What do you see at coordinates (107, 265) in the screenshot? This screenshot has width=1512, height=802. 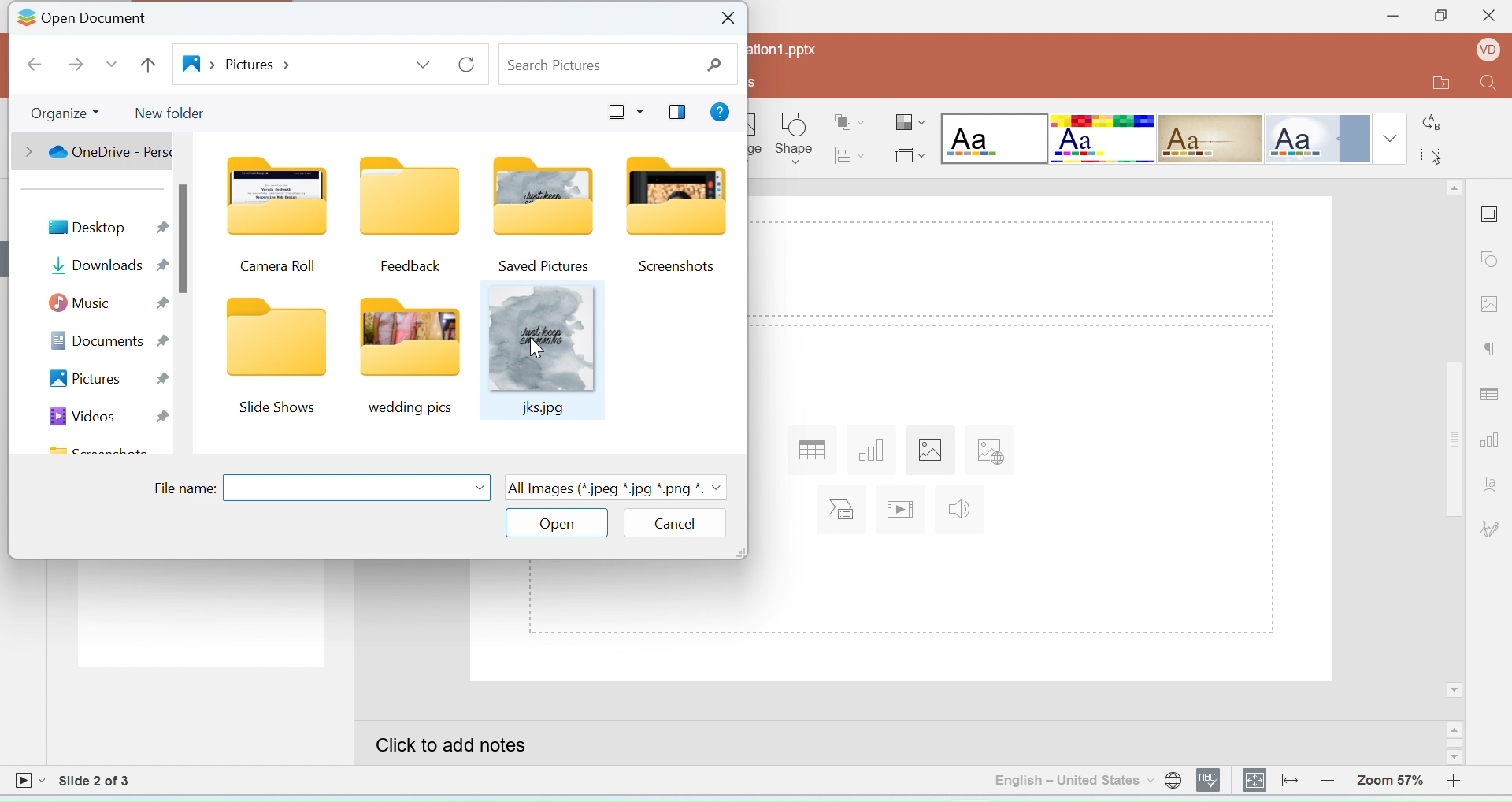 I see `downloads` at bounding box center [107, 265].